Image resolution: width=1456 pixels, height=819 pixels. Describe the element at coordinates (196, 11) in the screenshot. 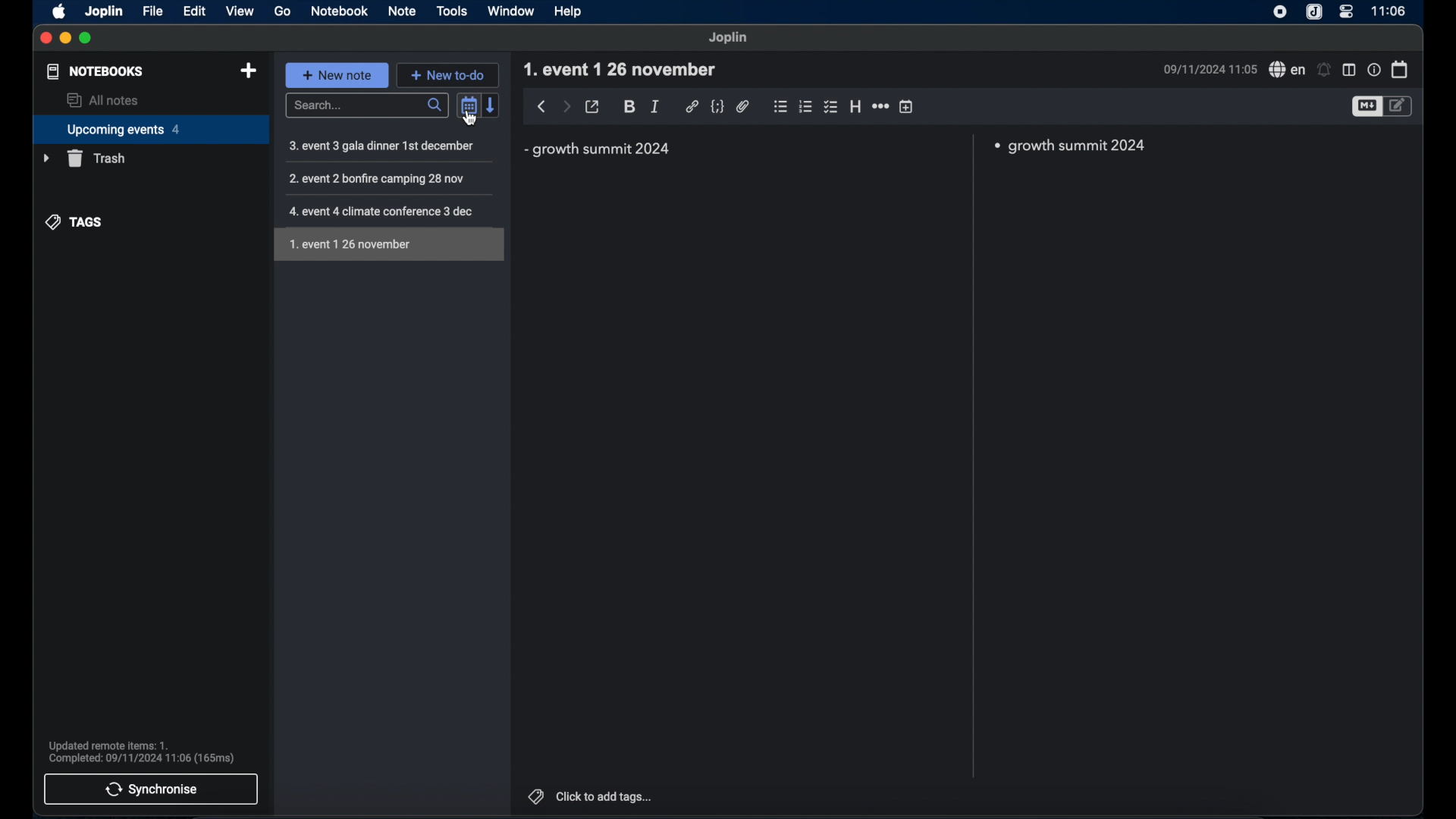

I see `edit` at that location.